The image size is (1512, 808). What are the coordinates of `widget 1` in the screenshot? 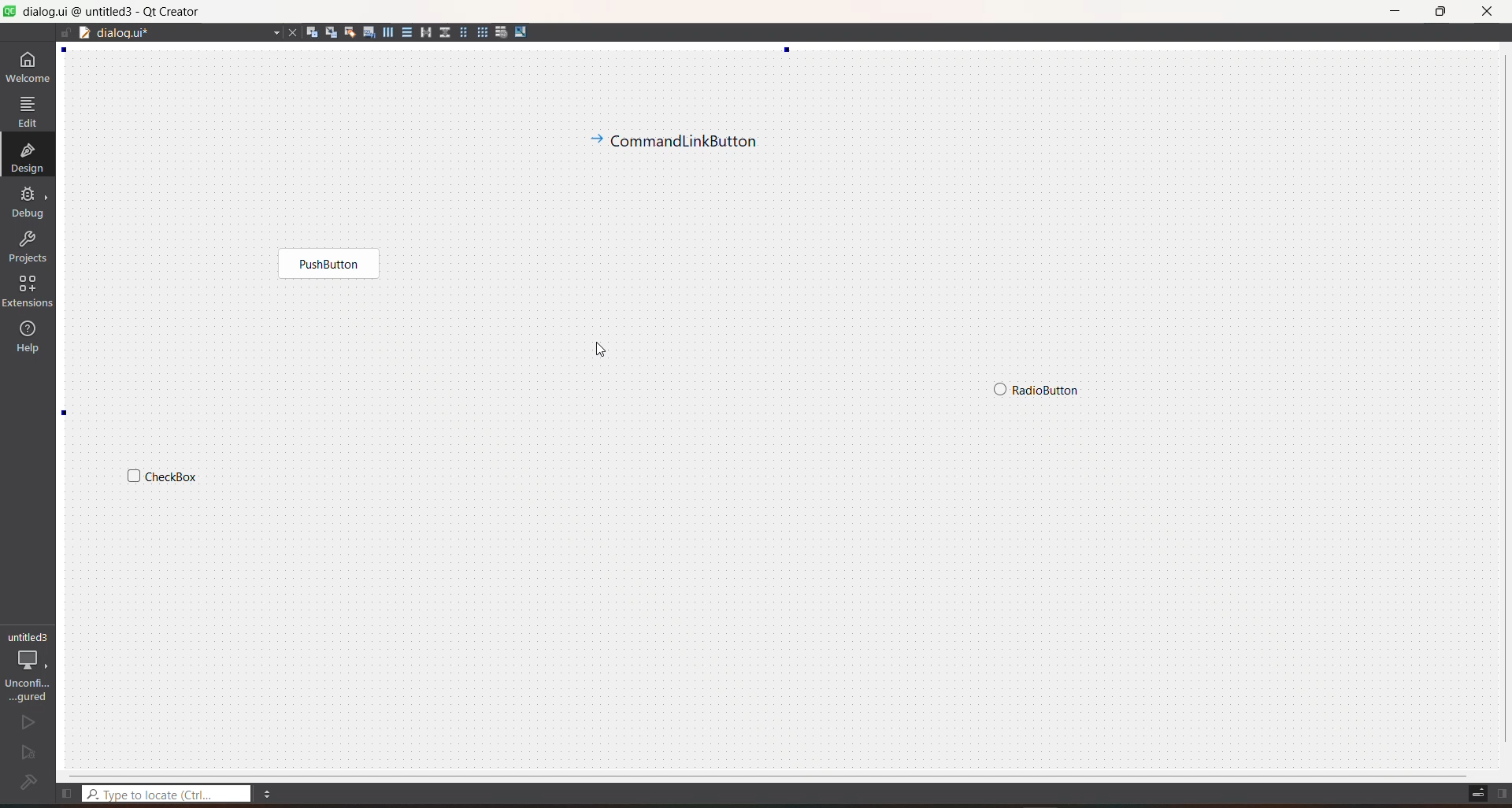 It's located at (1036, 390).